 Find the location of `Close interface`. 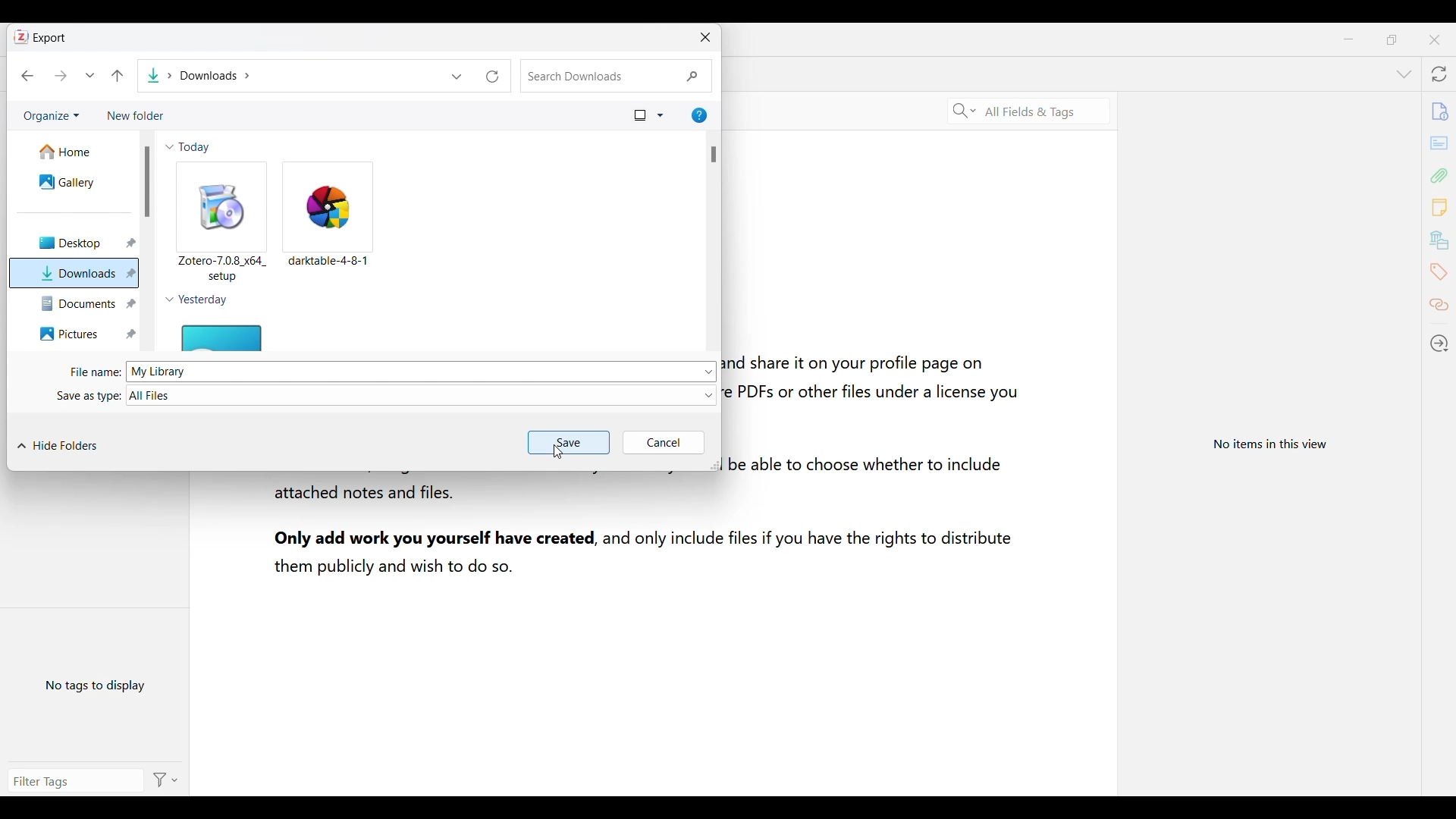

Close interface is located at coordinates (1434, 39).